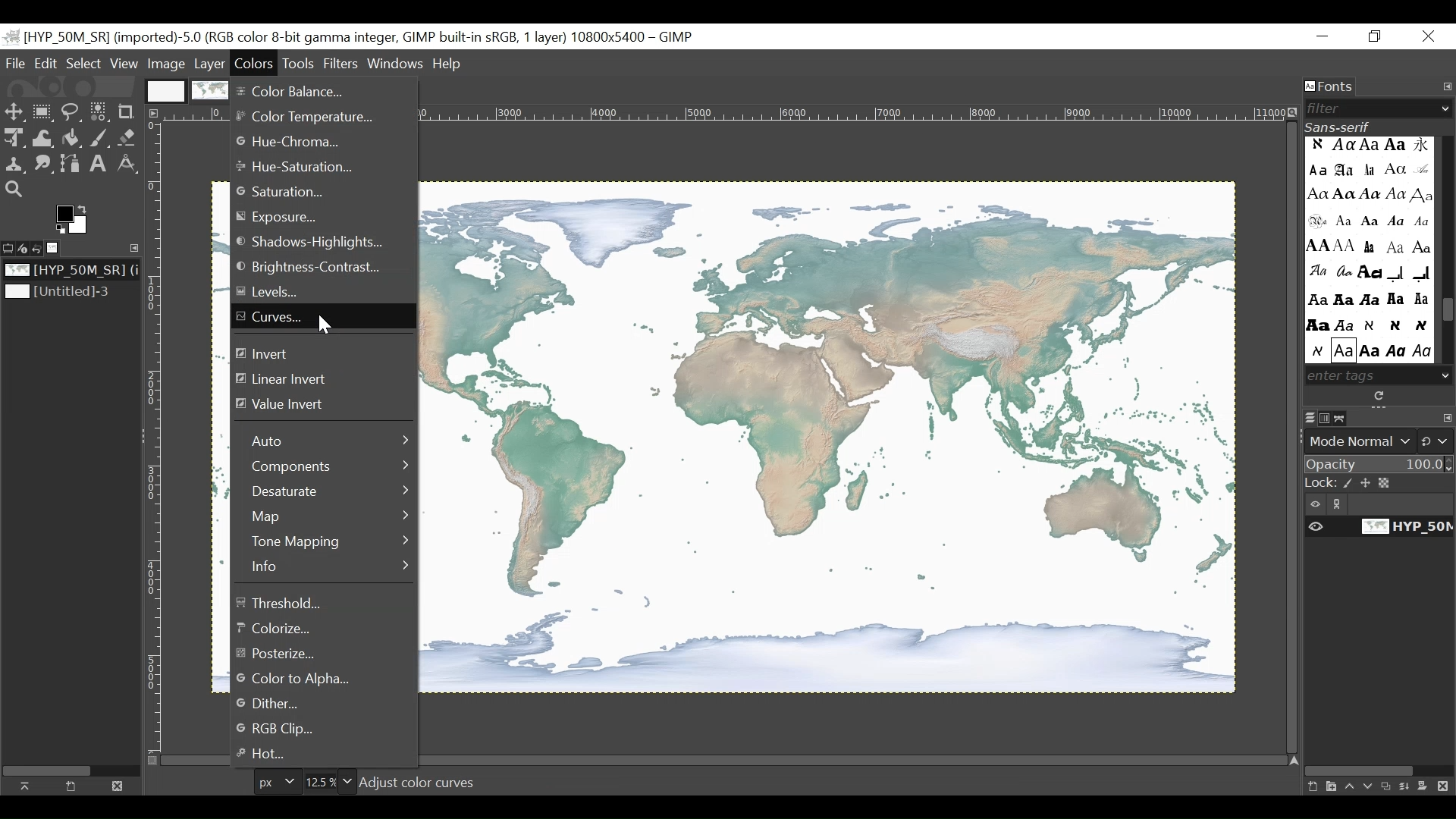 The height and width of the screenshot is (819, 1456). Describe the element at coordinates (1310, 419) in the screenshot. I see `Layers` at that location.